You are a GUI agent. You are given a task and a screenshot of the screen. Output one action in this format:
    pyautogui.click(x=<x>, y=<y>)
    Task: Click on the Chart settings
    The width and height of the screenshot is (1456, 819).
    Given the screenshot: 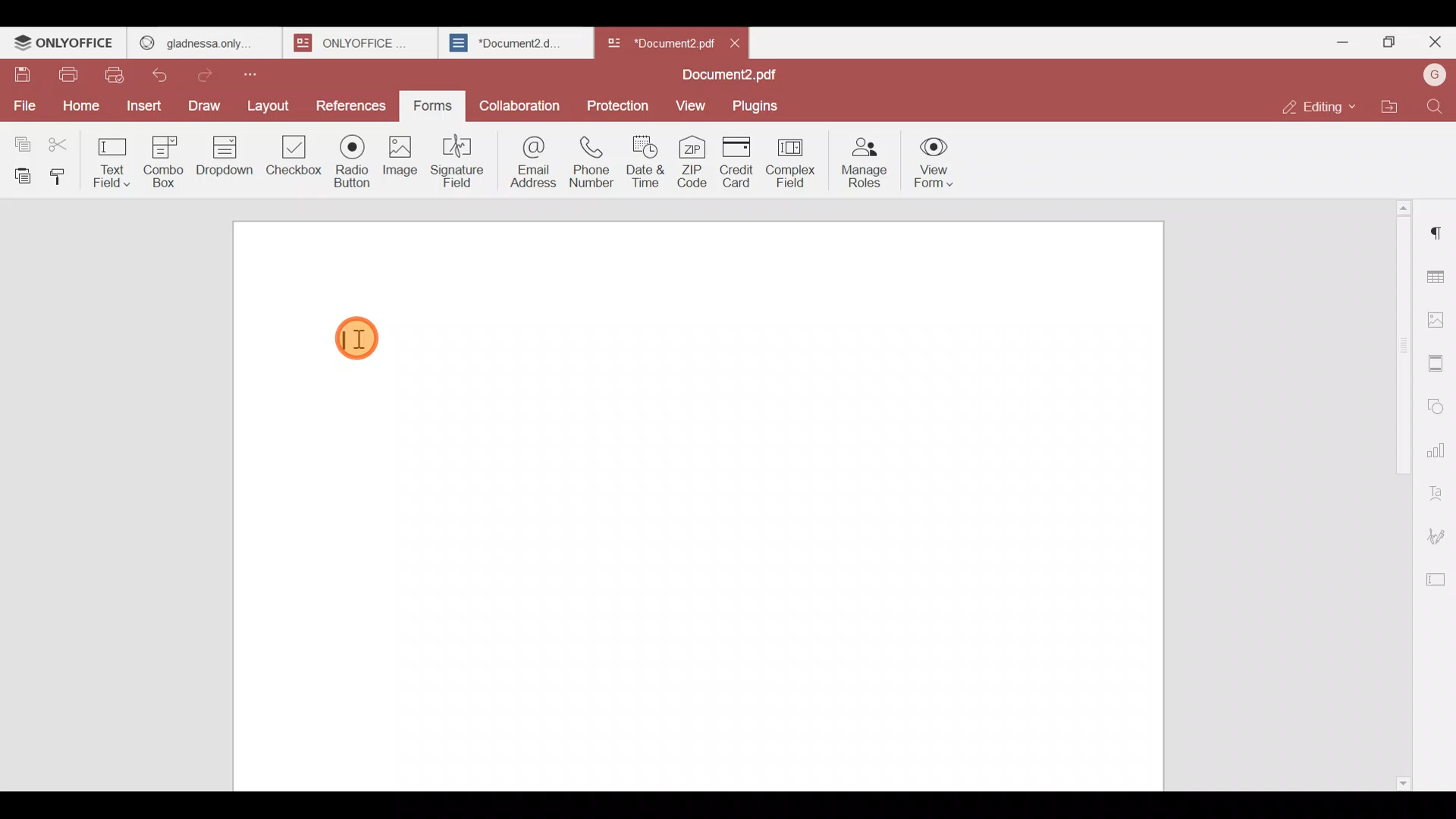 What is the action you would take?
    pyautogui.click(x=1438, y=450)
    